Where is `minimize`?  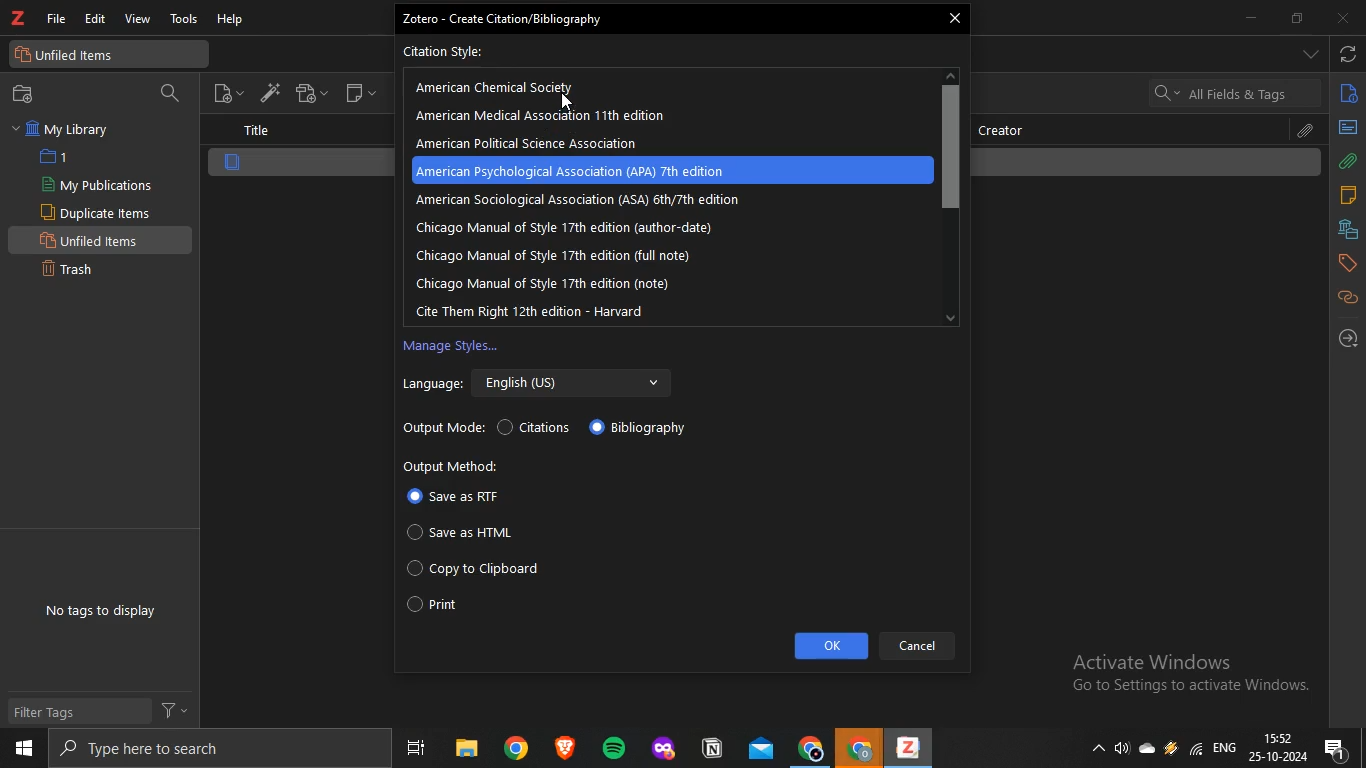 minimize is located at coordinates (1255, 19).